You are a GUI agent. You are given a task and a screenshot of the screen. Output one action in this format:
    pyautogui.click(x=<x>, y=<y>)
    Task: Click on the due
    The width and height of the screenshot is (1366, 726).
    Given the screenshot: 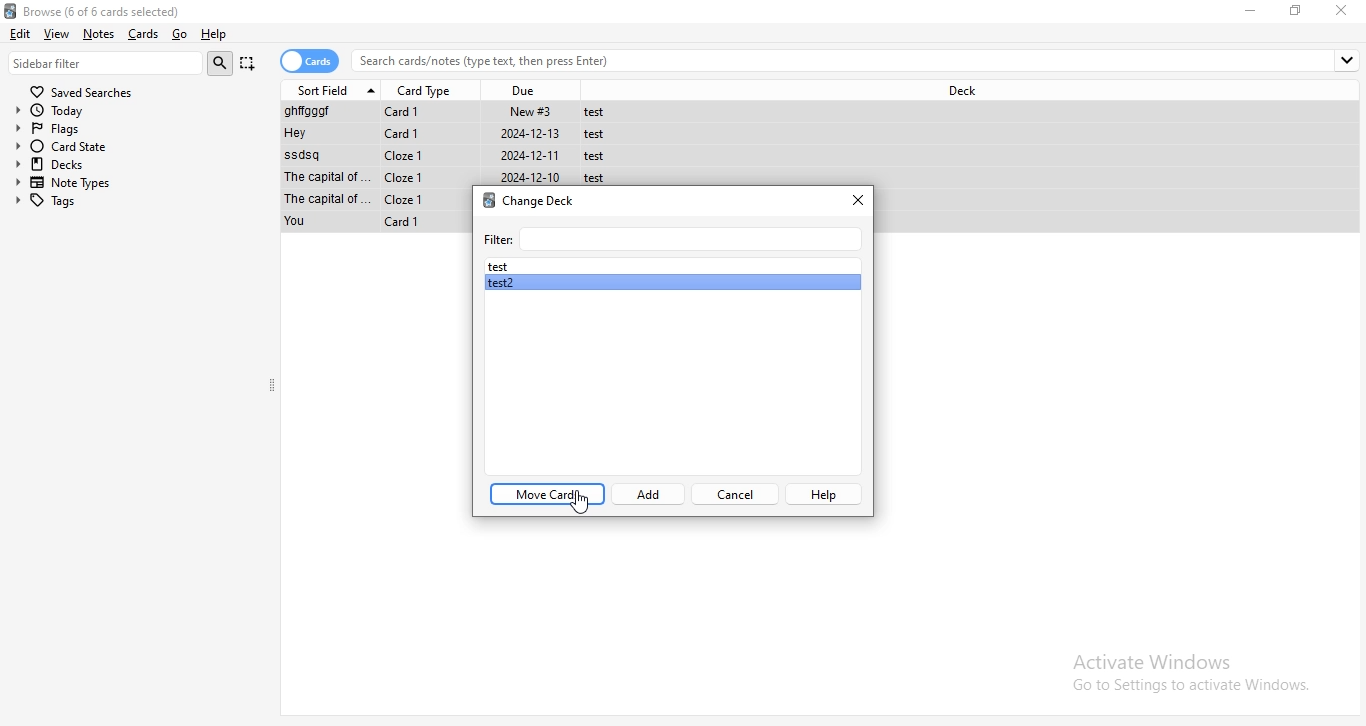 What is the action you would take?
    pyautogui.click(x=530, y=88)
    